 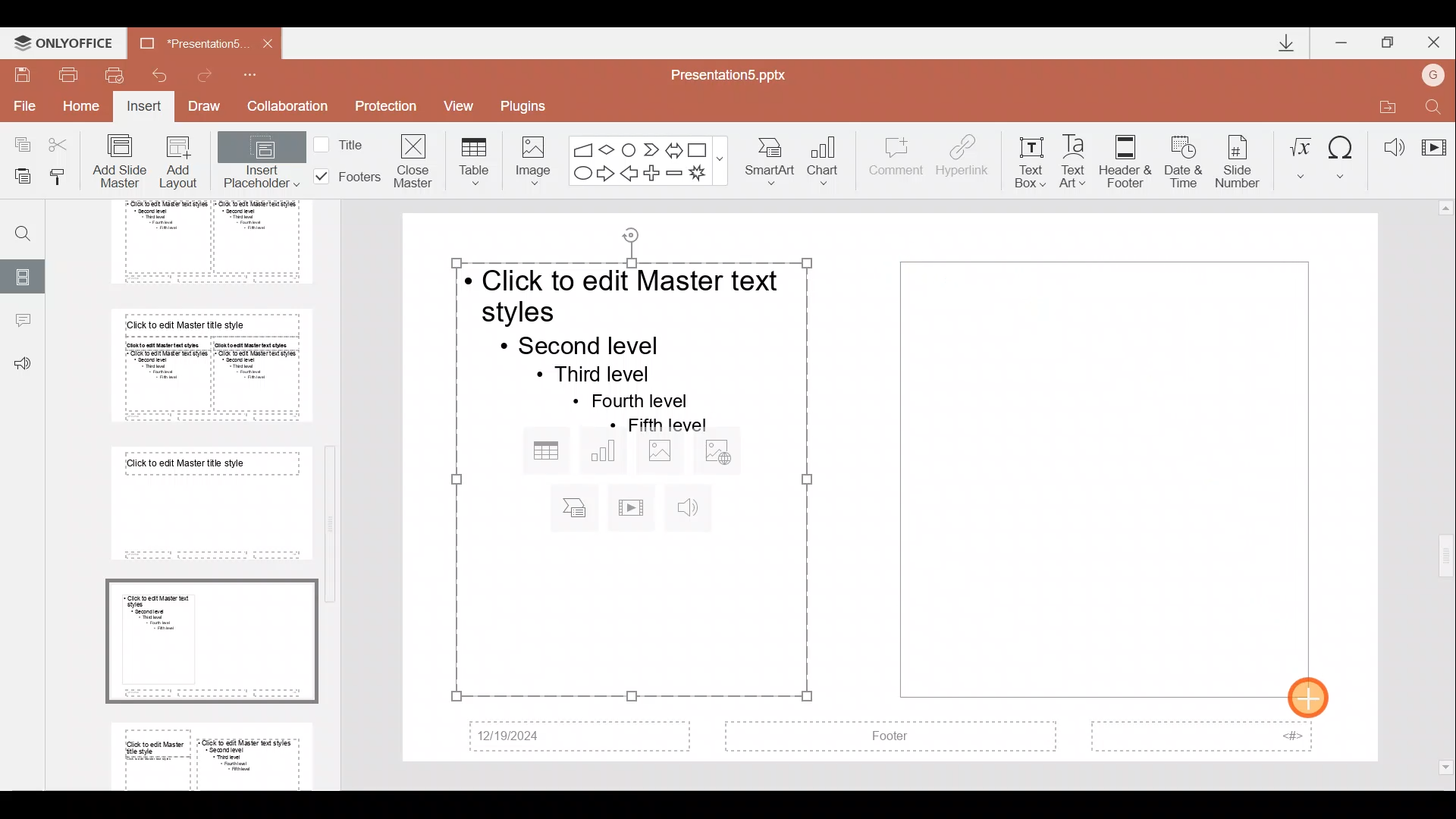 I want to click on Title, so click(x=343, y=143).